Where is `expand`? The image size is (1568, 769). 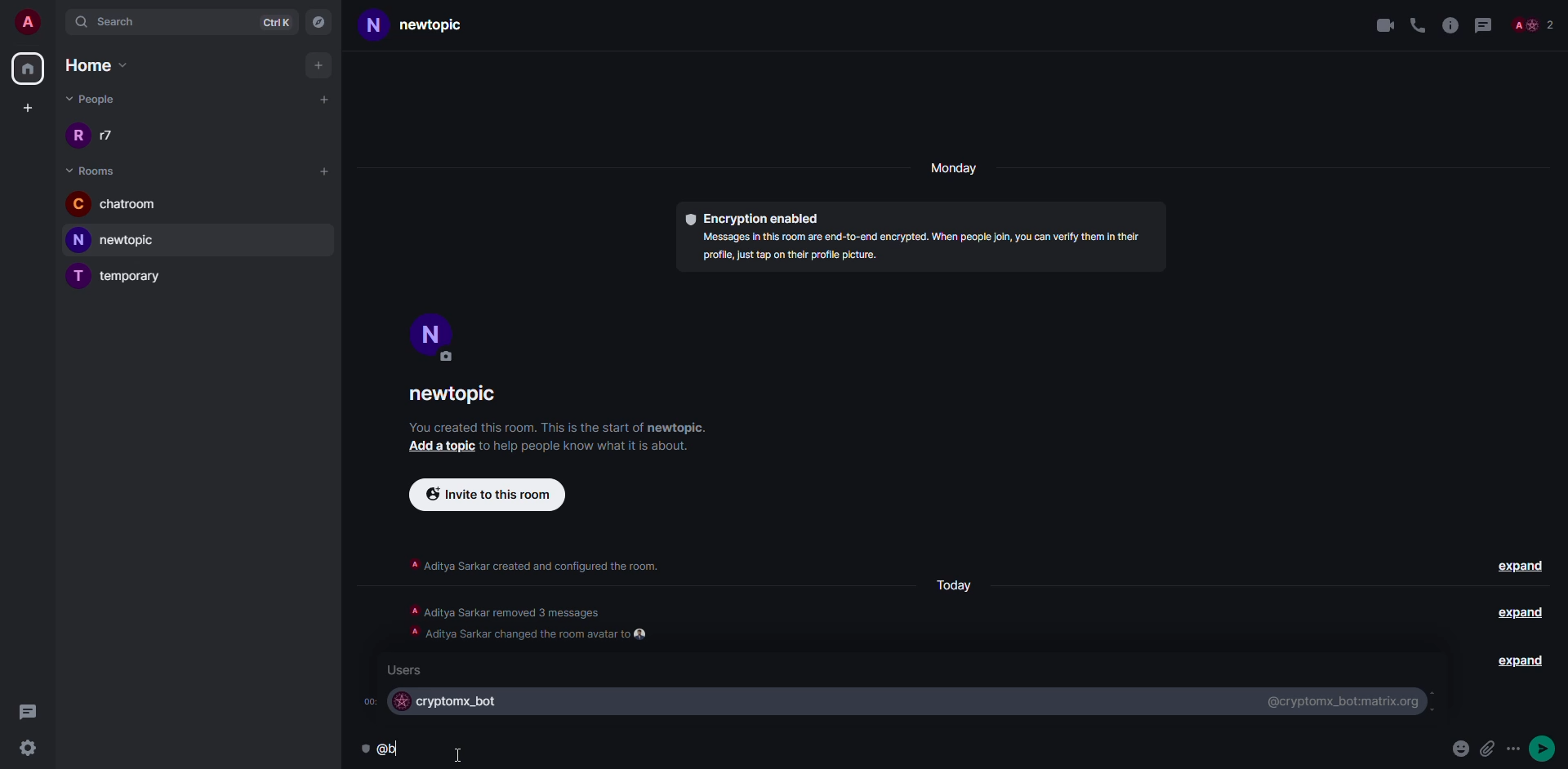
expand is located at coordinates (1511, 661).